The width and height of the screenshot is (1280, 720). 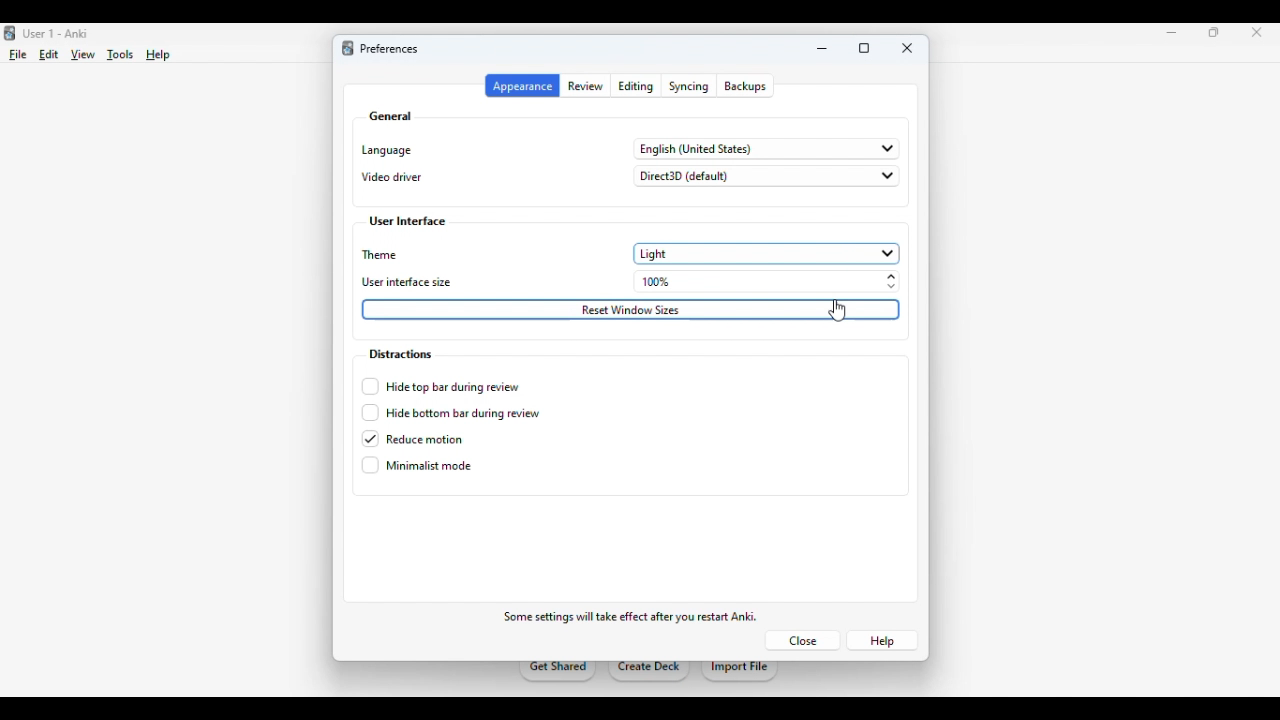 I want to click on maximize, so click(x=864, y=49).